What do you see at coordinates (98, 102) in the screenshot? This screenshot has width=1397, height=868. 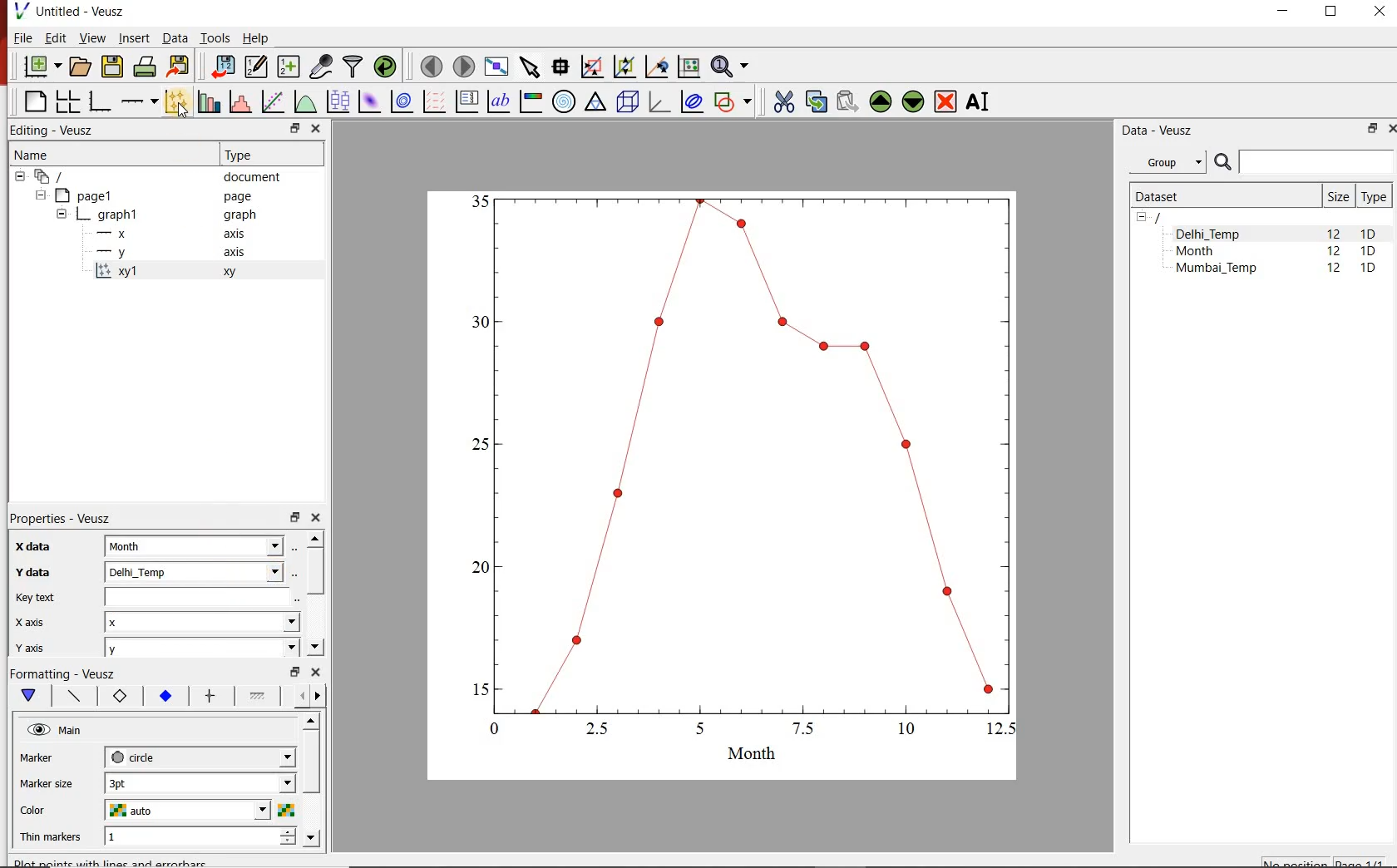 I see `base graph` at bounding box center [98, 102].